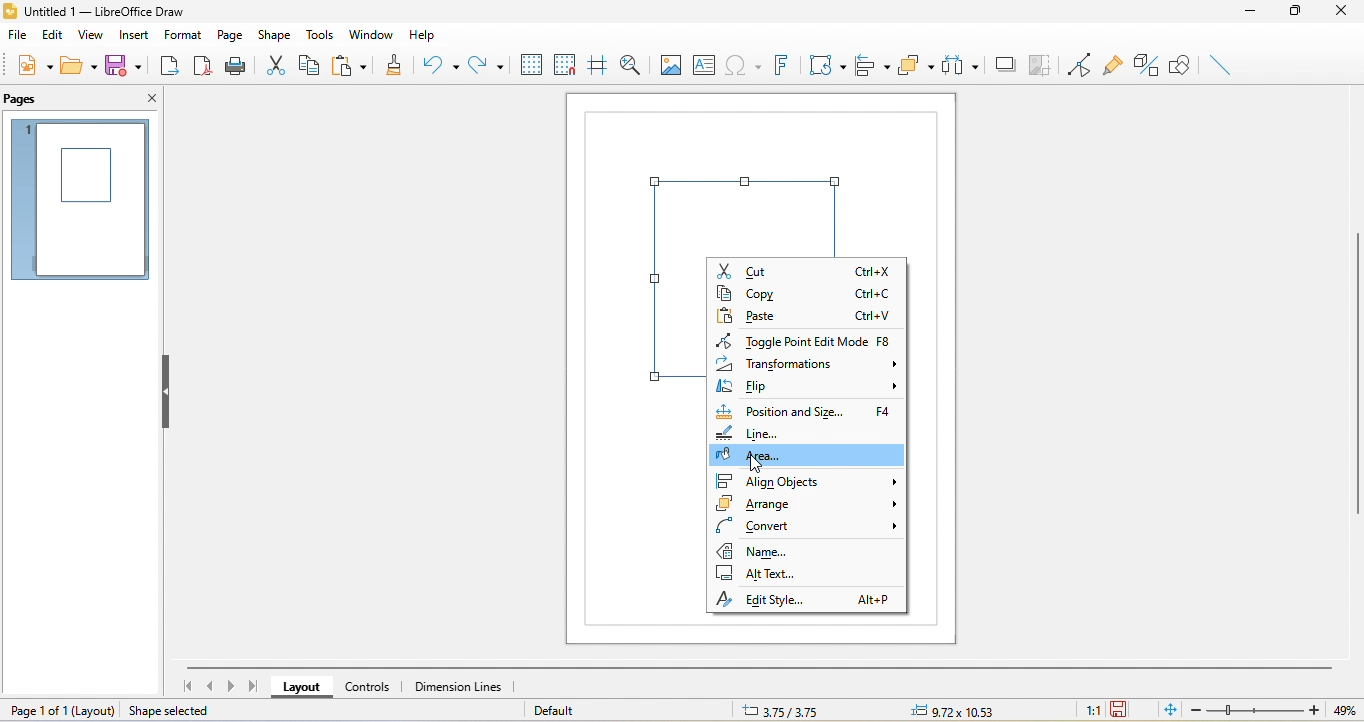 Image resolution: width=1364 pixels, height=722 pixels. I want to click on position and size, so click(806, 409).